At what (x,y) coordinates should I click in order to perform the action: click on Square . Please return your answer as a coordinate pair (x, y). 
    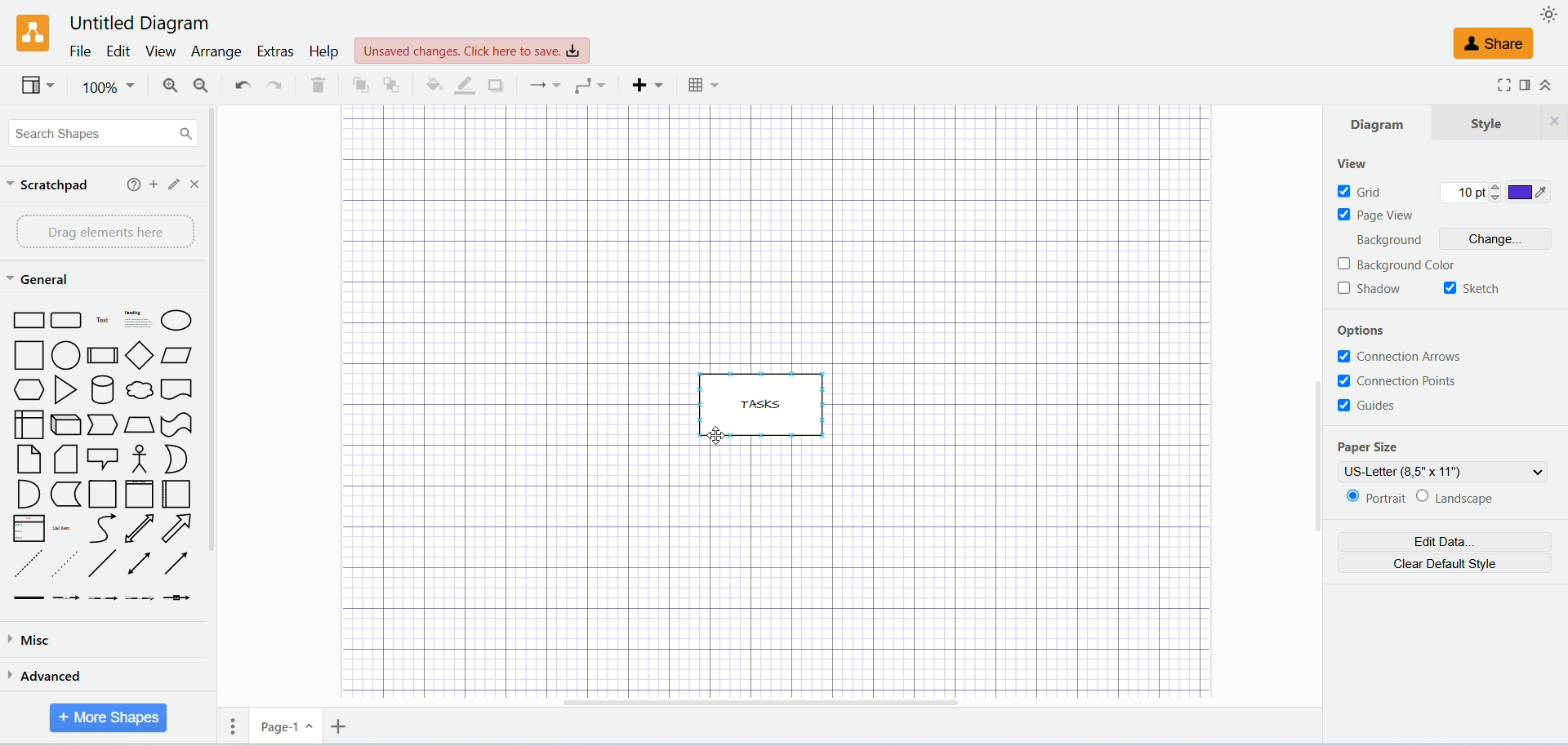
    Looking at the image, I should click on (27, 355).